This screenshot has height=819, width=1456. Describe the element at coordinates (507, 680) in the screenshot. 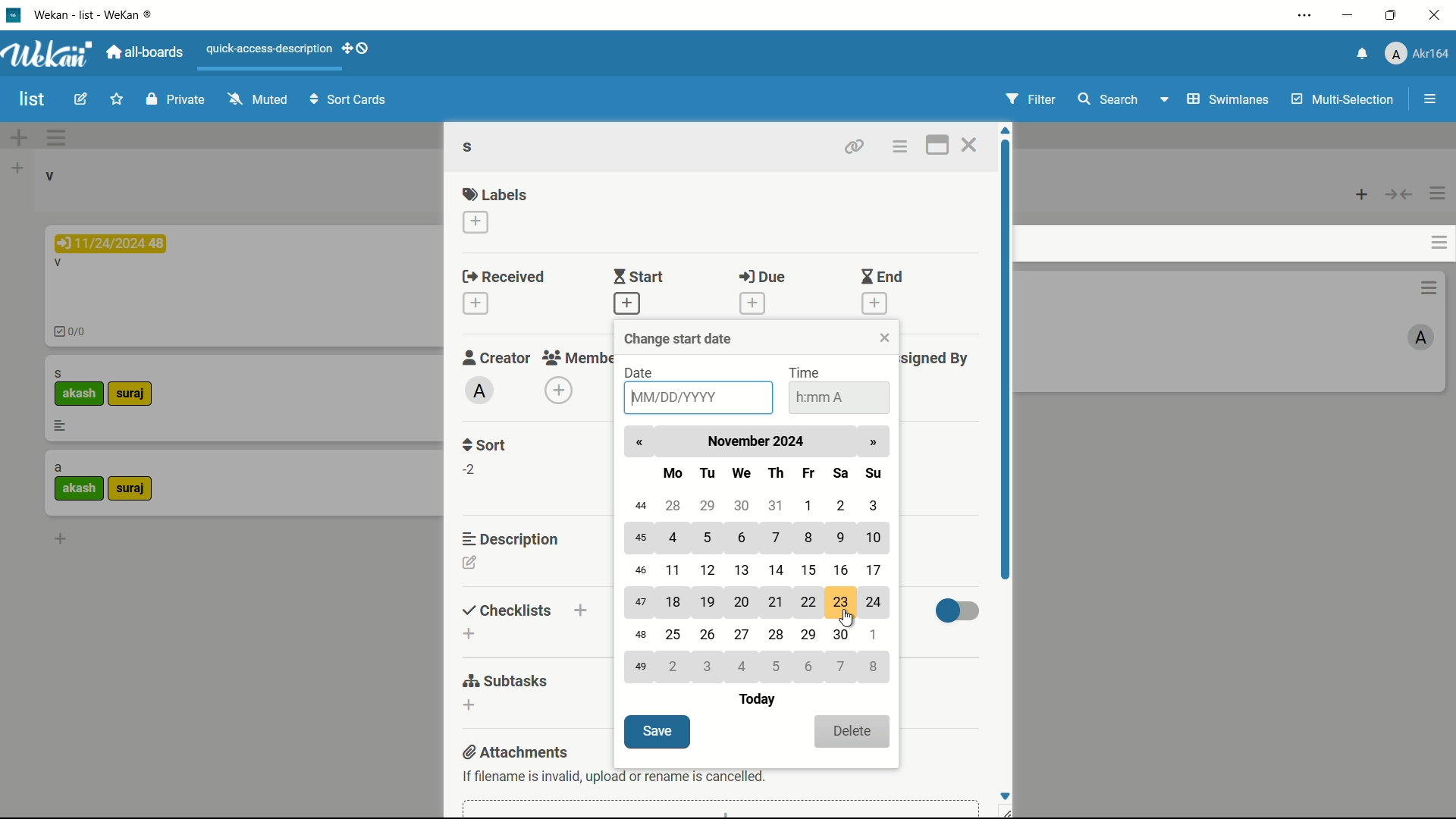

I see `subtasks` at that location.